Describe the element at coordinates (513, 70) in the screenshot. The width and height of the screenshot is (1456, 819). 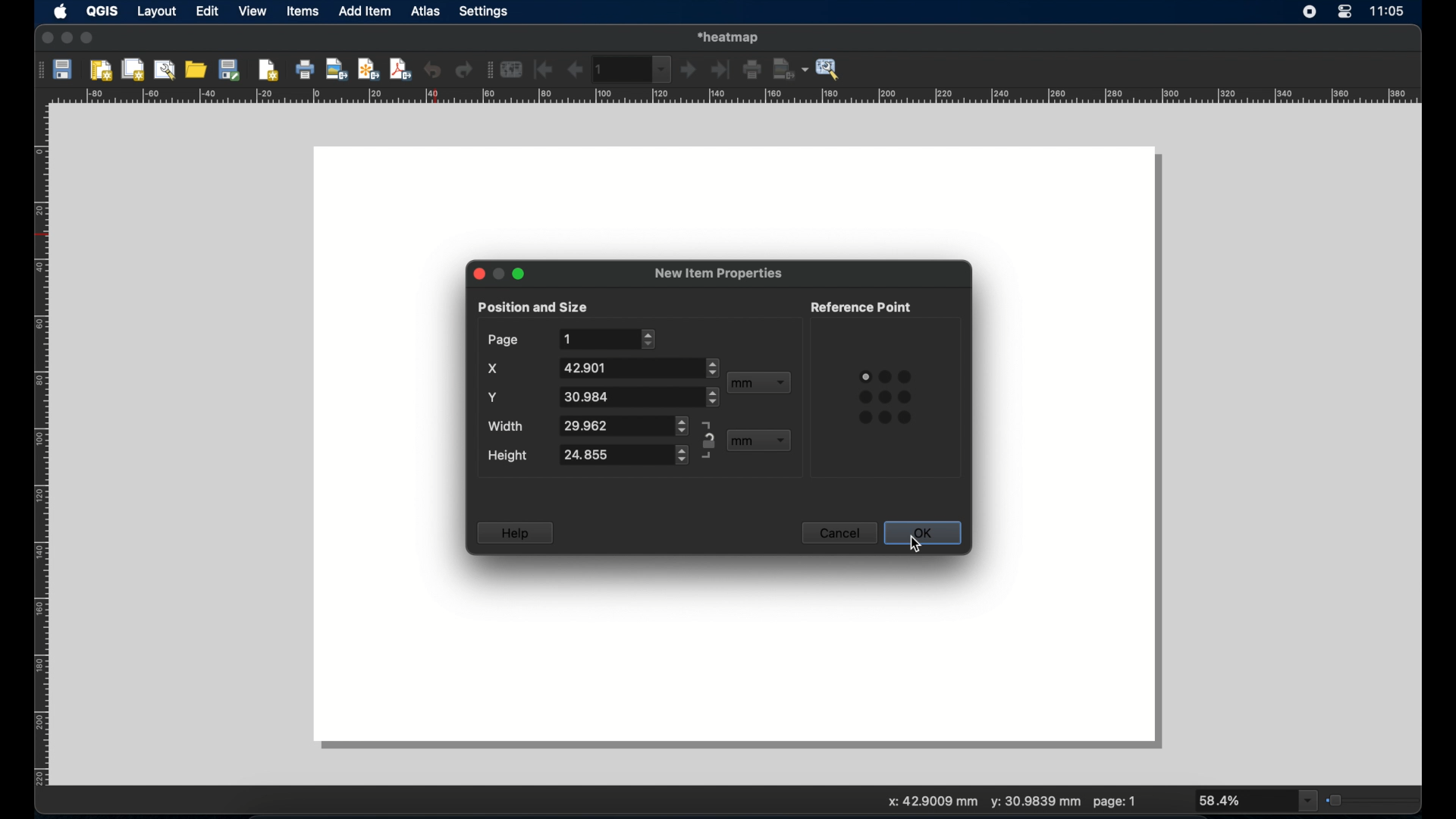
I see `preview atlas` at that location.